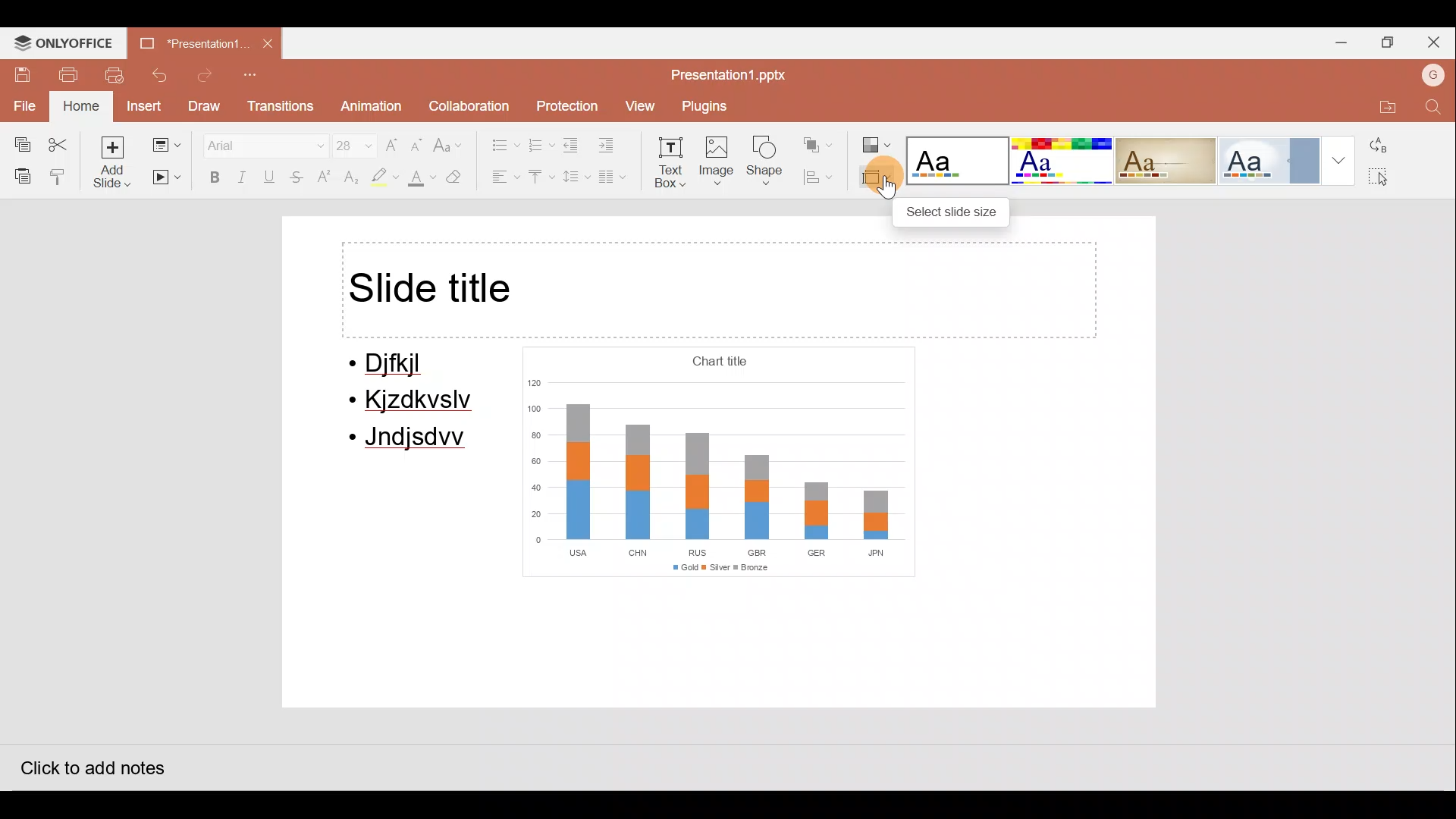 The image size is (1456, 819). What do you see at coordinates (143, 105) in the screenshot?
I see `Insert` at bounding box center [143, 105].